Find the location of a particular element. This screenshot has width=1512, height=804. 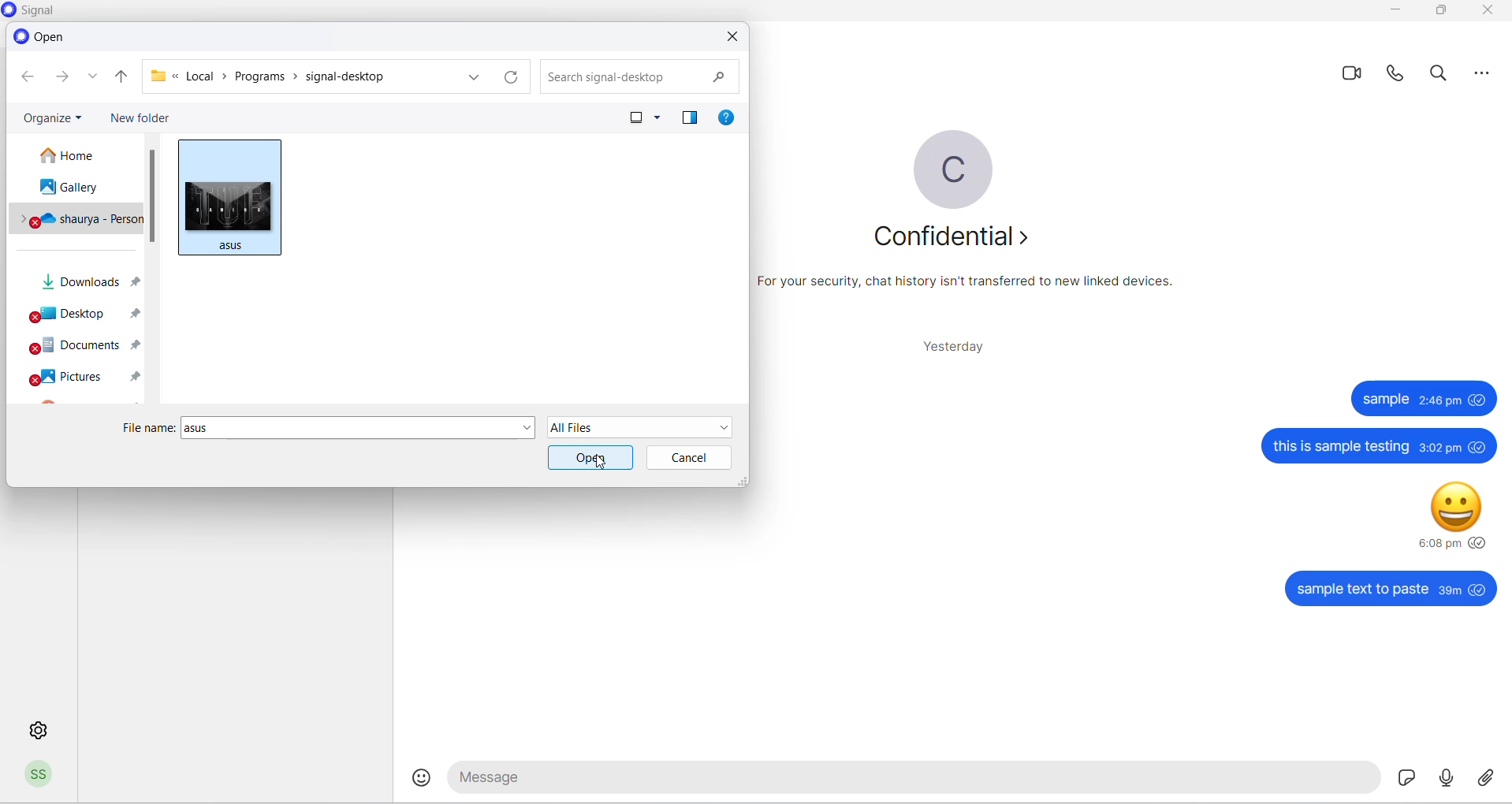

39m is located at coordinates (1450, 591).